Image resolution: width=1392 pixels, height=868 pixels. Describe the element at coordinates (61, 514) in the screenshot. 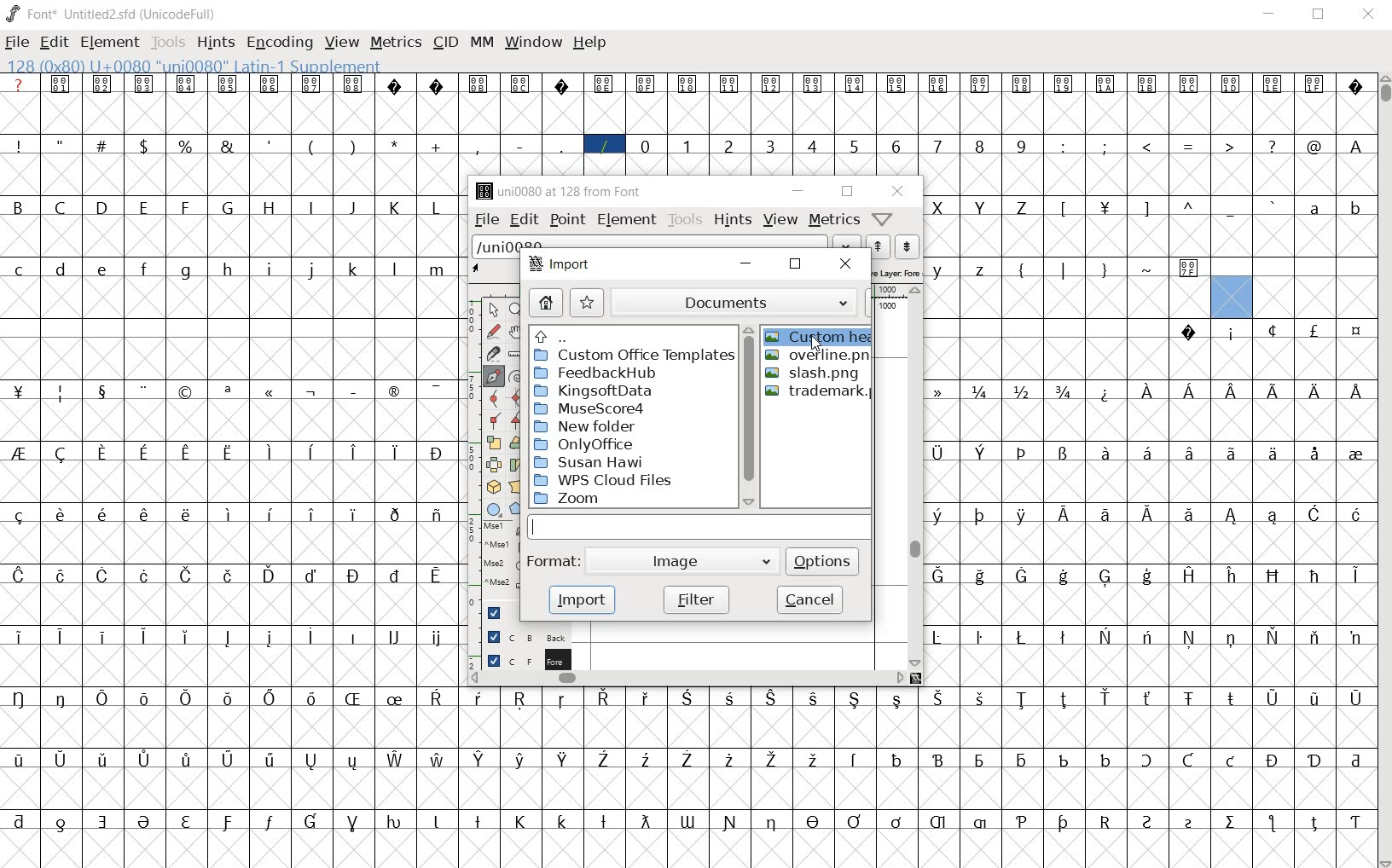

I see `glyph` at that location.